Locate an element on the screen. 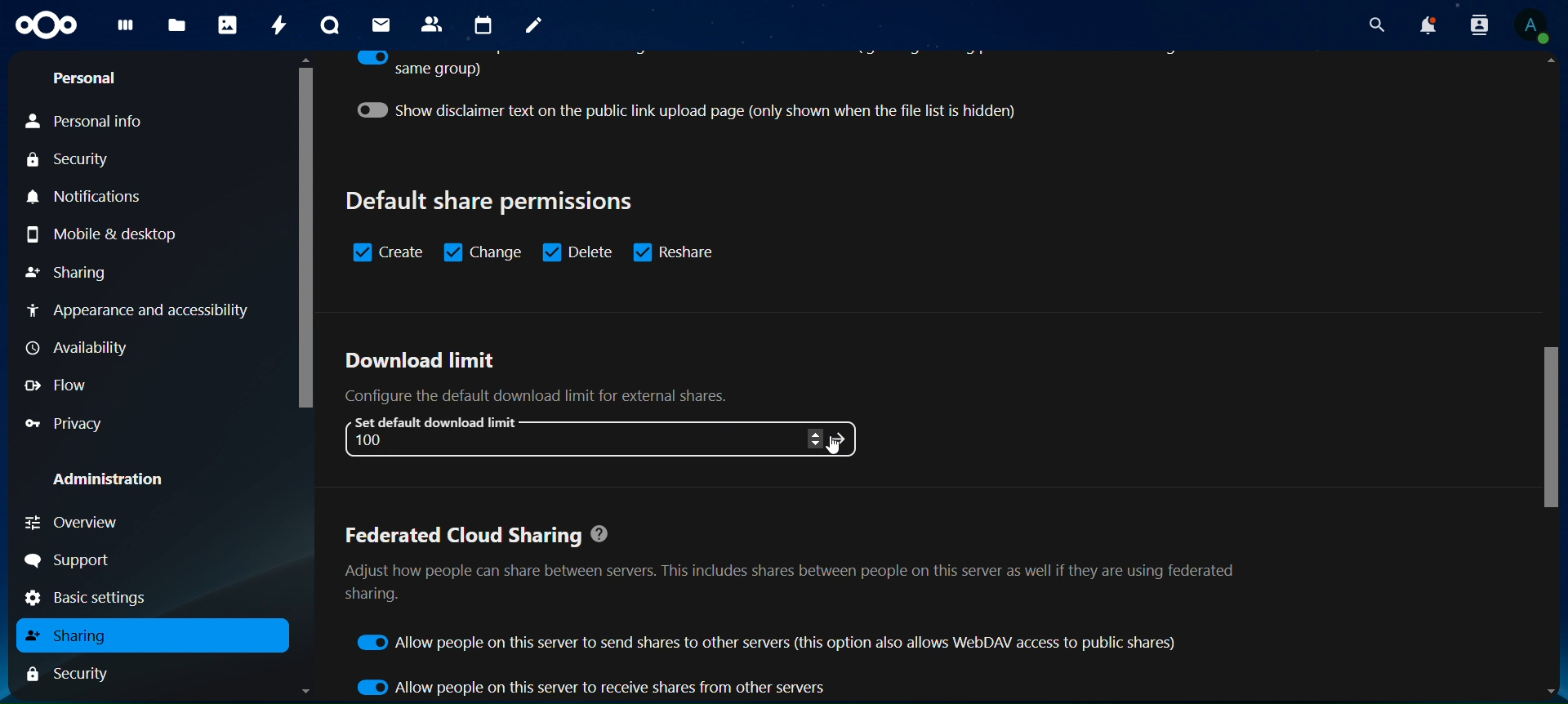 This screenshot has height=704, width=1568. photos is located at coordinates (230, 25).